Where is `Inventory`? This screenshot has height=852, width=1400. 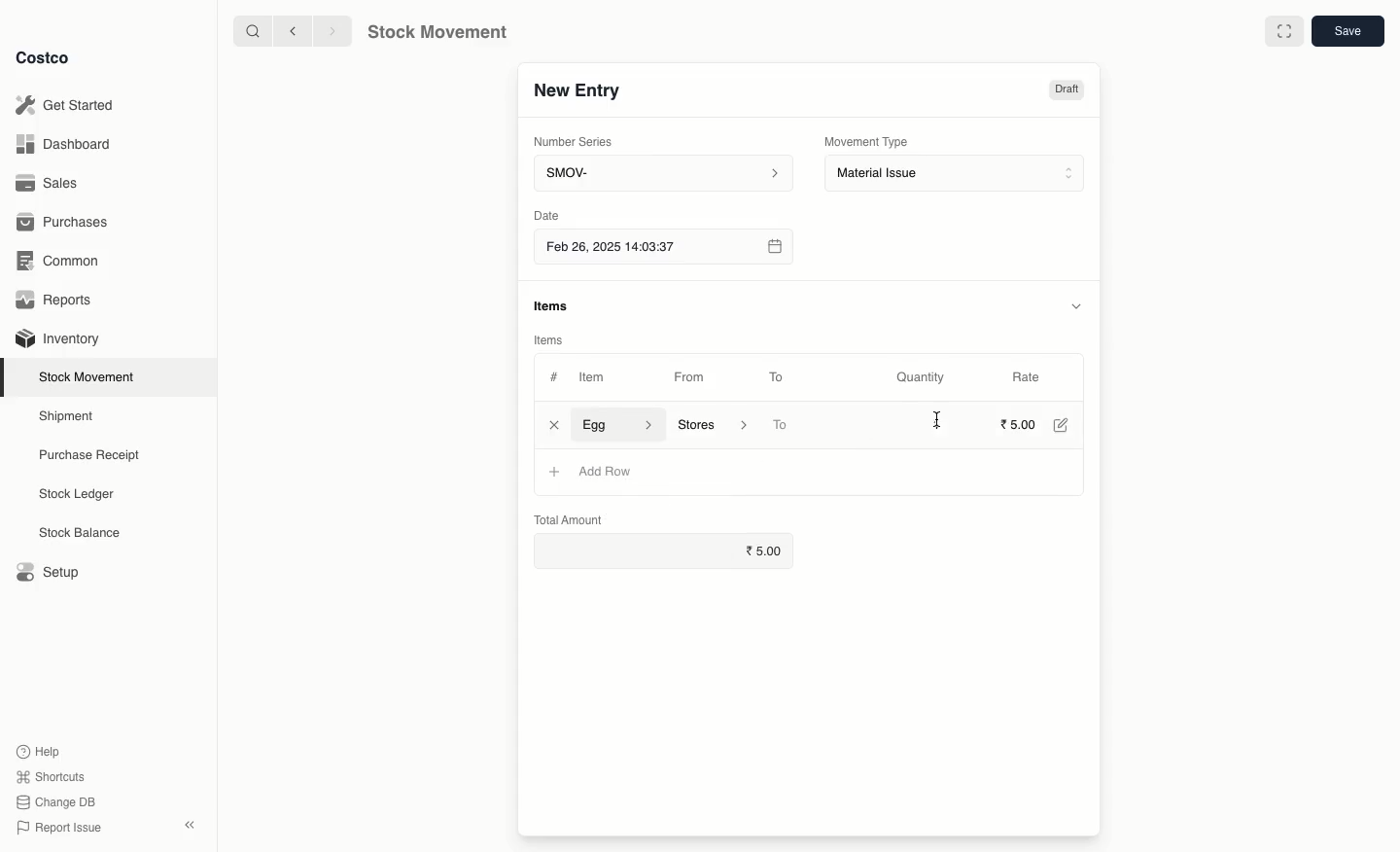 Inventory is located at coordinates (60, 339).